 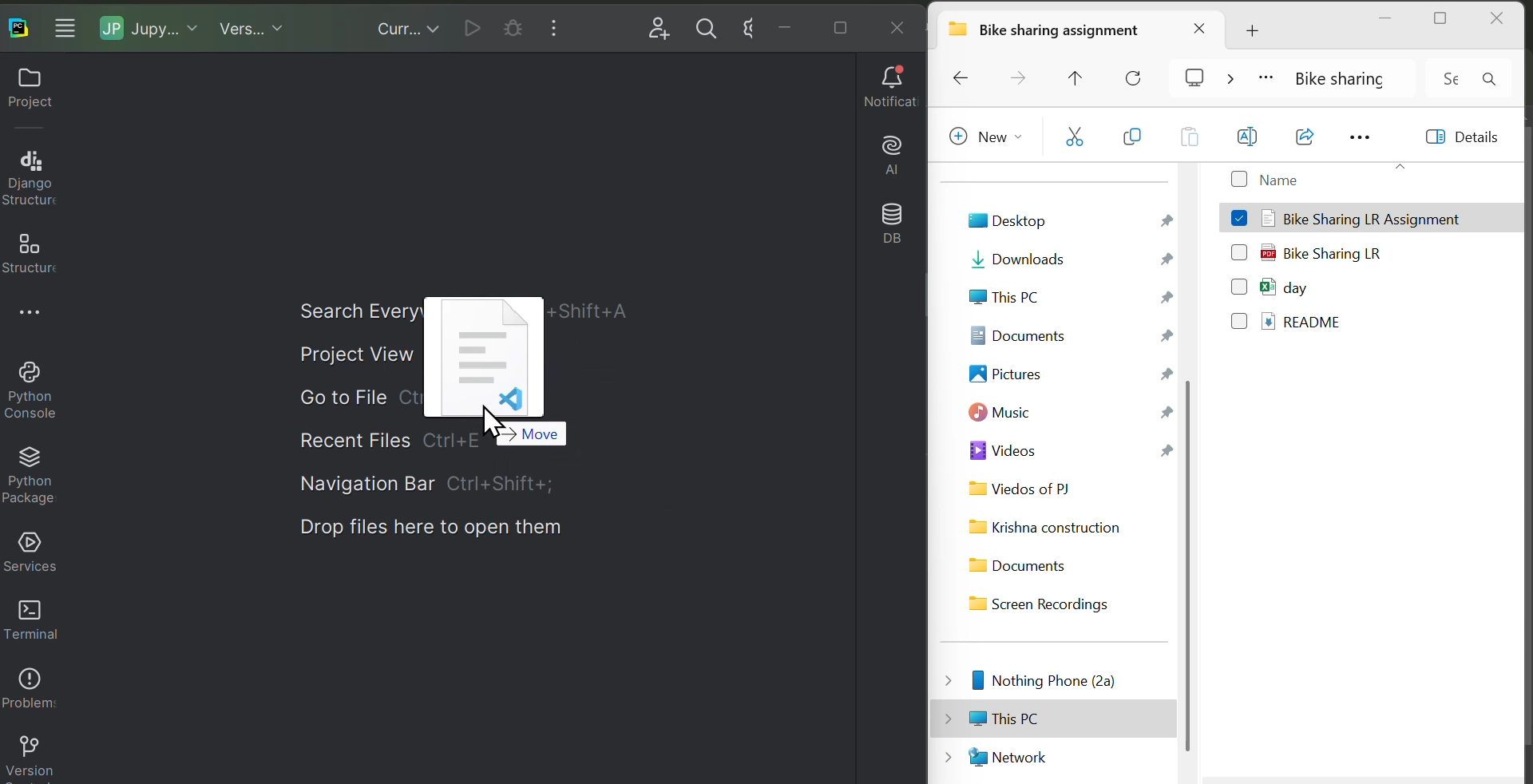 I want to click on This PC, so click(x=1067, y=299).